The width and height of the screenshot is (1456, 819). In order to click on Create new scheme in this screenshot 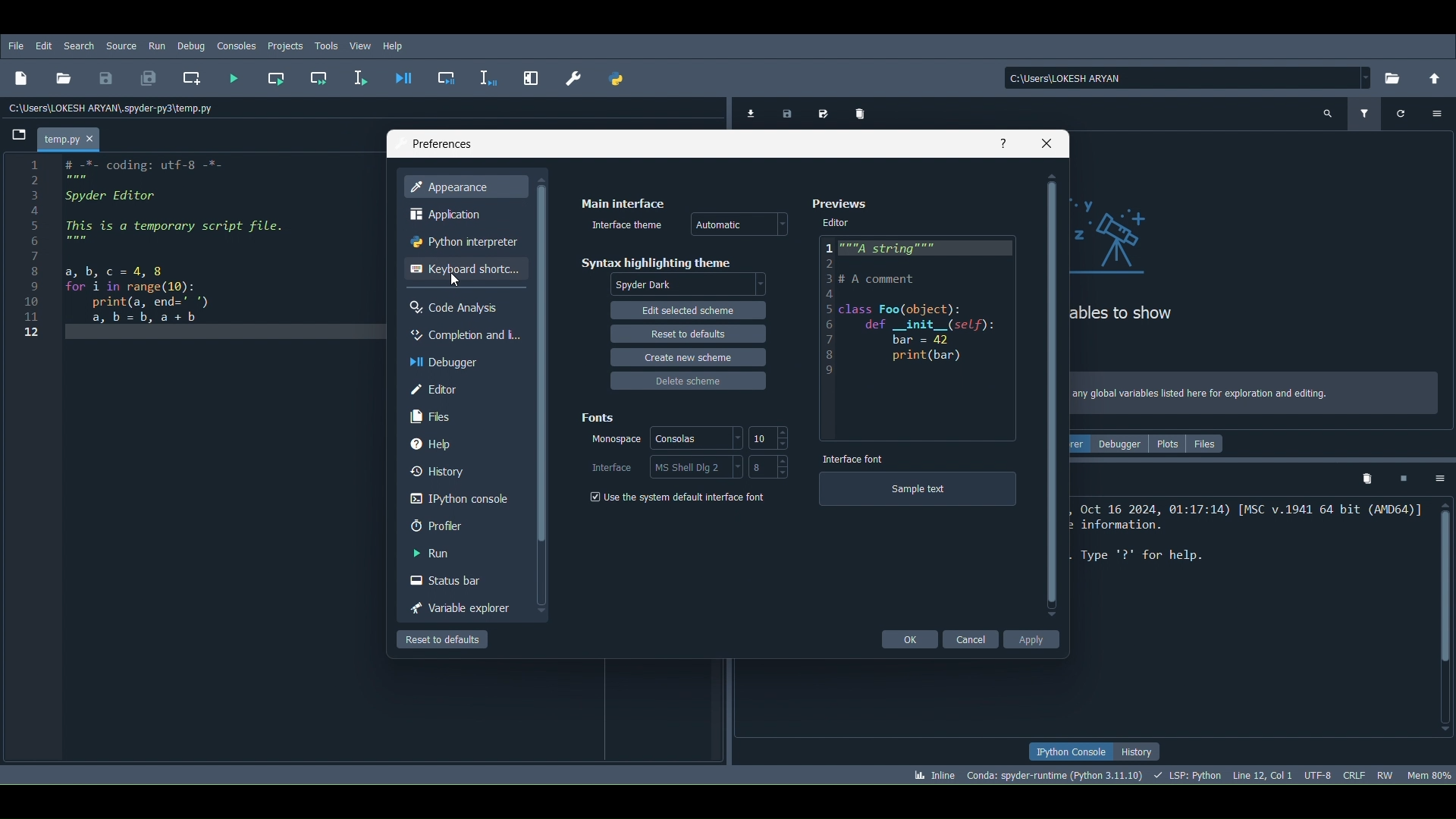, I will do `click(691, 359)`.